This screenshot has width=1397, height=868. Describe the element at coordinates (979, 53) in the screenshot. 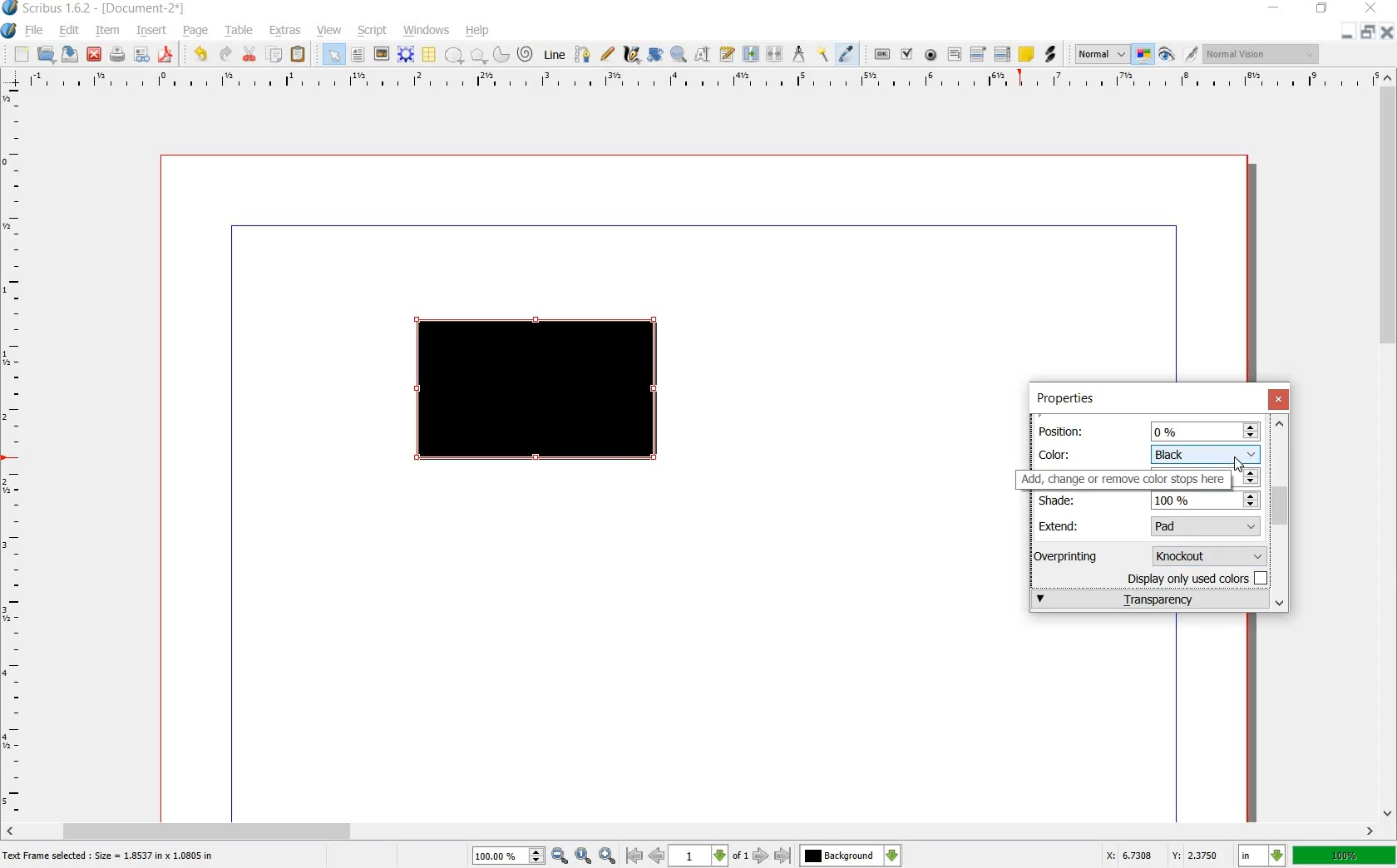

I see `pdf combo box` at that location.